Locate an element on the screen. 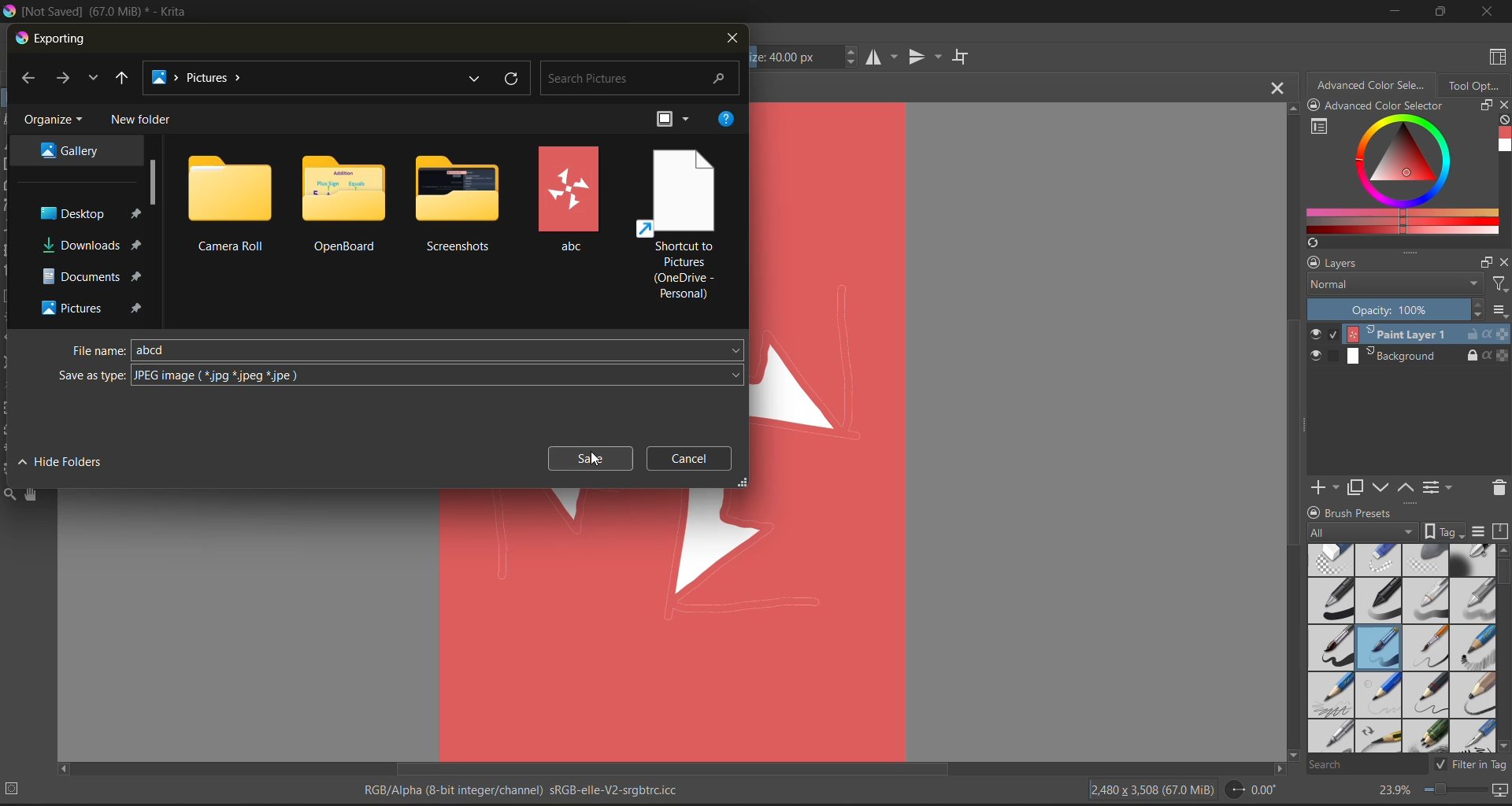  lock/unlock docker is located at coordinates (1314, 511).